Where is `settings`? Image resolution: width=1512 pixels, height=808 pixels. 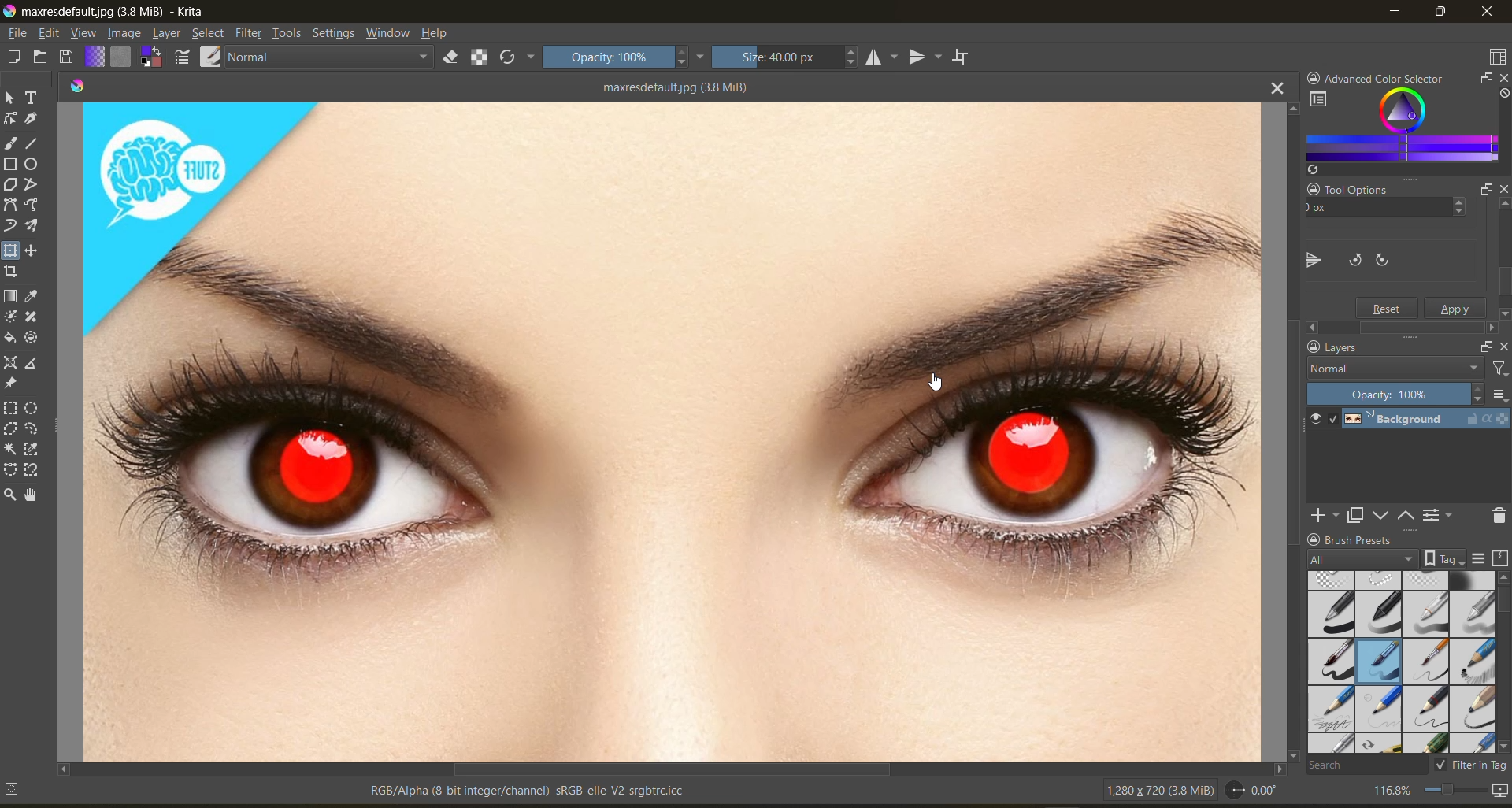 settings is located at coordinates (336, 35).